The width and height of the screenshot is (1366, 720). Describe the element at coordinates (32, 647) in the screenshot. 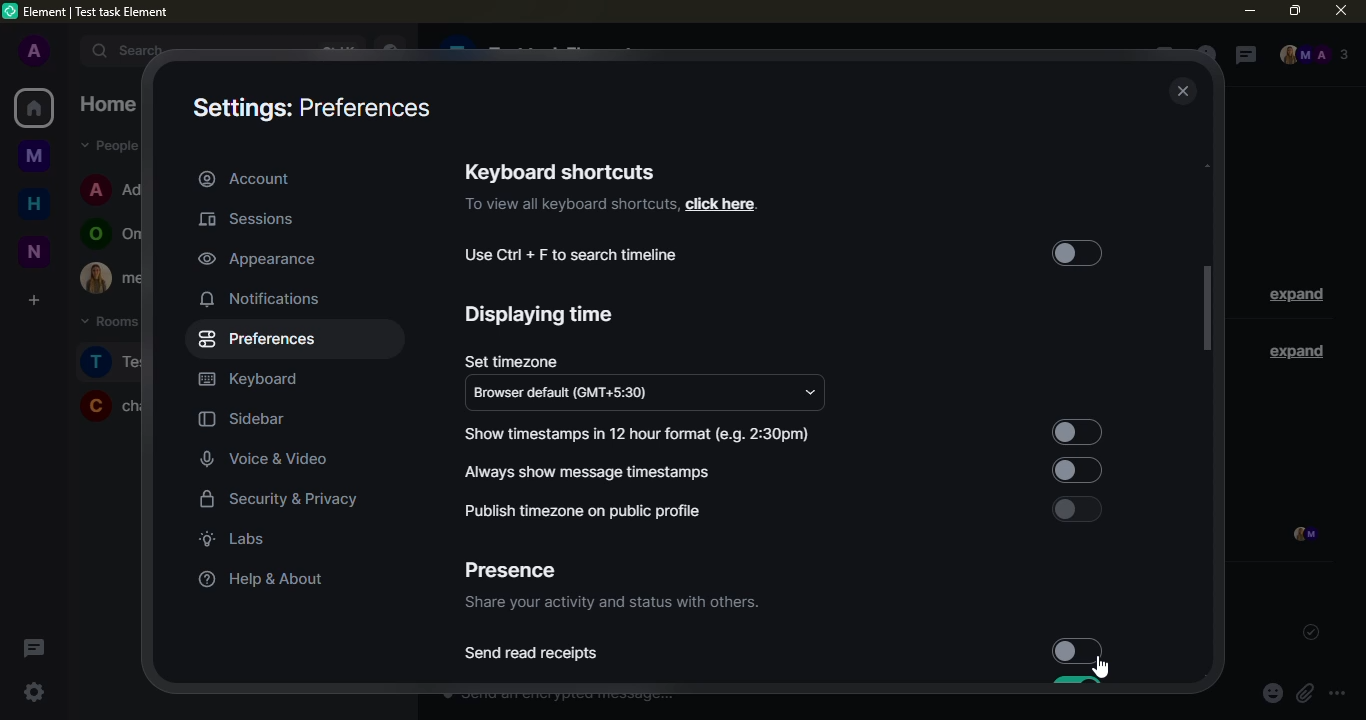

I see `threads` at that location.